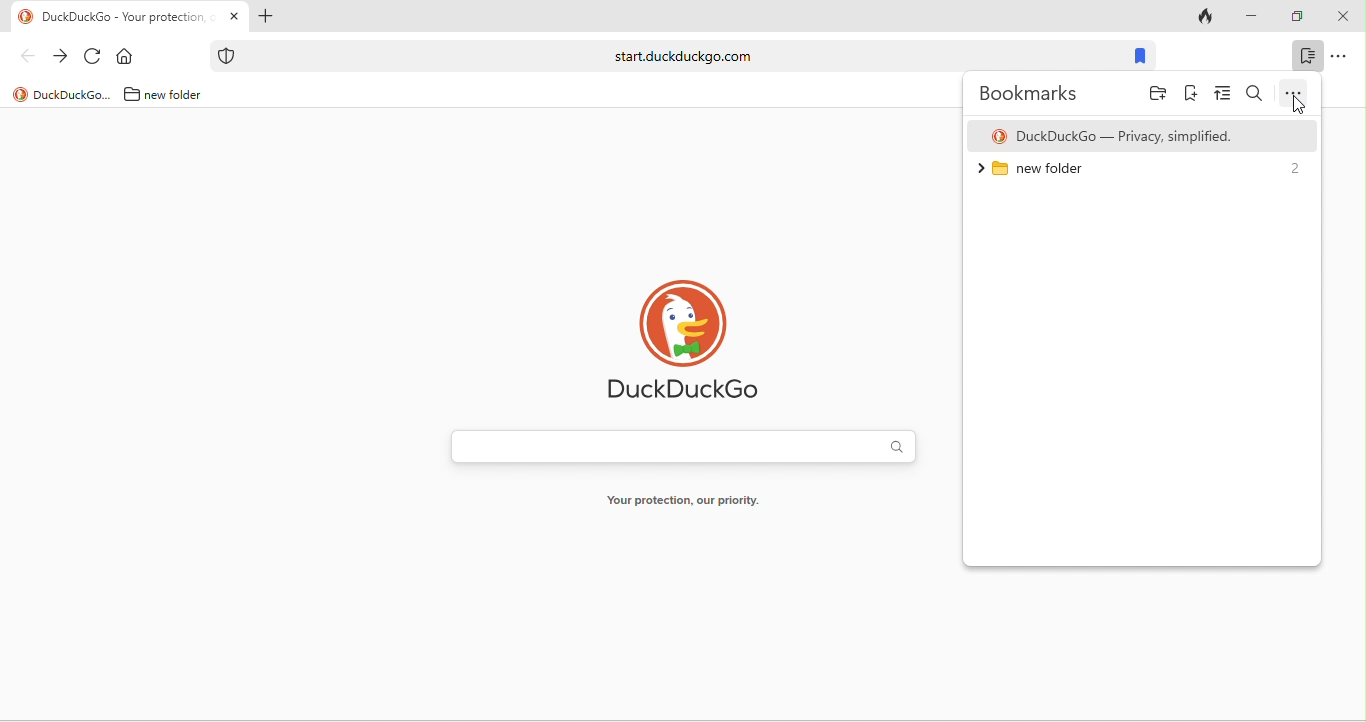 The image size is (1366, 722). What do you see at coordinates (999, 137) in the screenshot?
I see `logo` at bounding box center [999, 137].